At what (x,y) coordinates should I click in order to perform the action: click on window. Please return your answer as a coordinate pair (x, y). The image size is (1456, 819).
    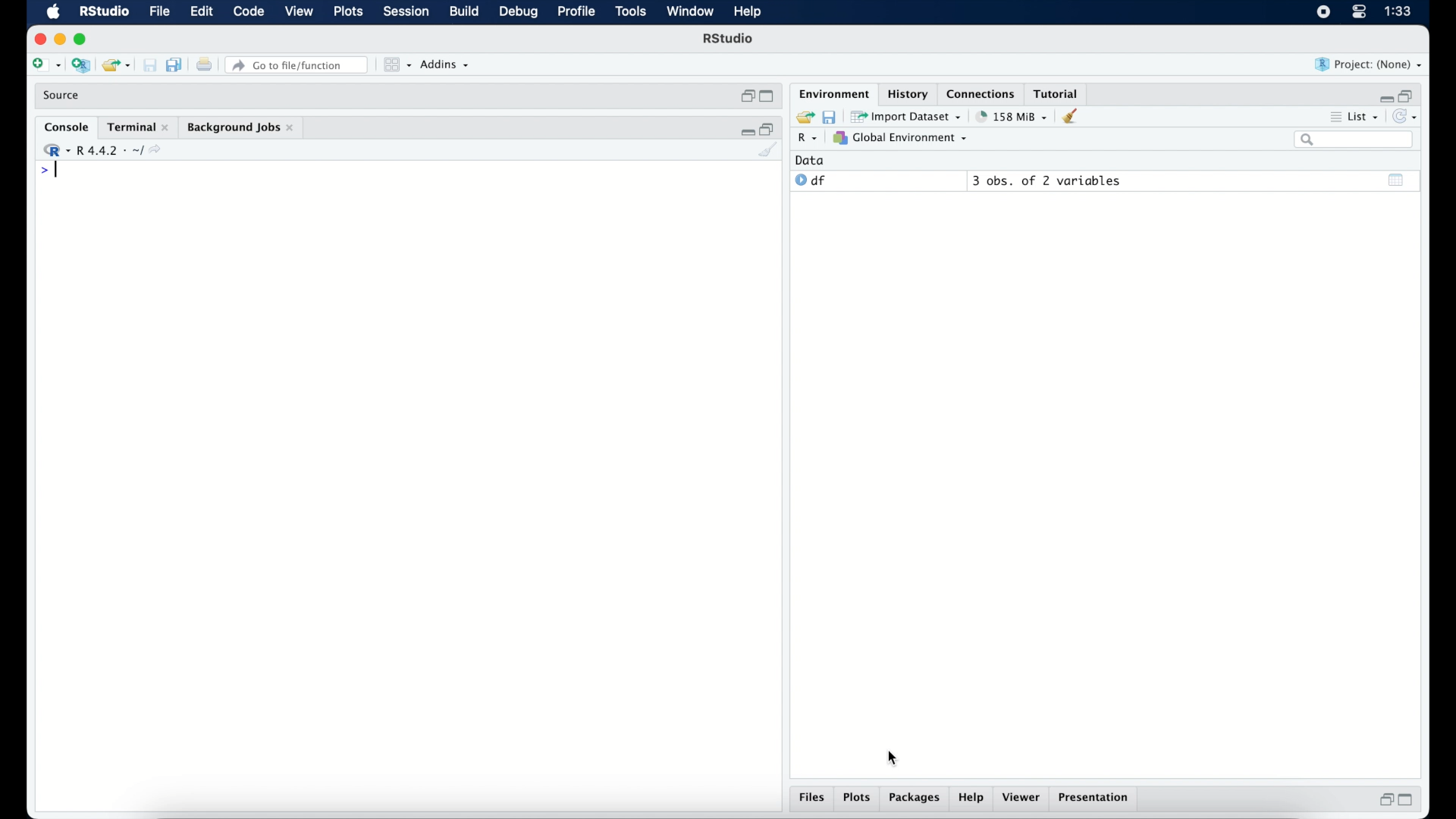
    Looking at the image, I should click on (691, 13).